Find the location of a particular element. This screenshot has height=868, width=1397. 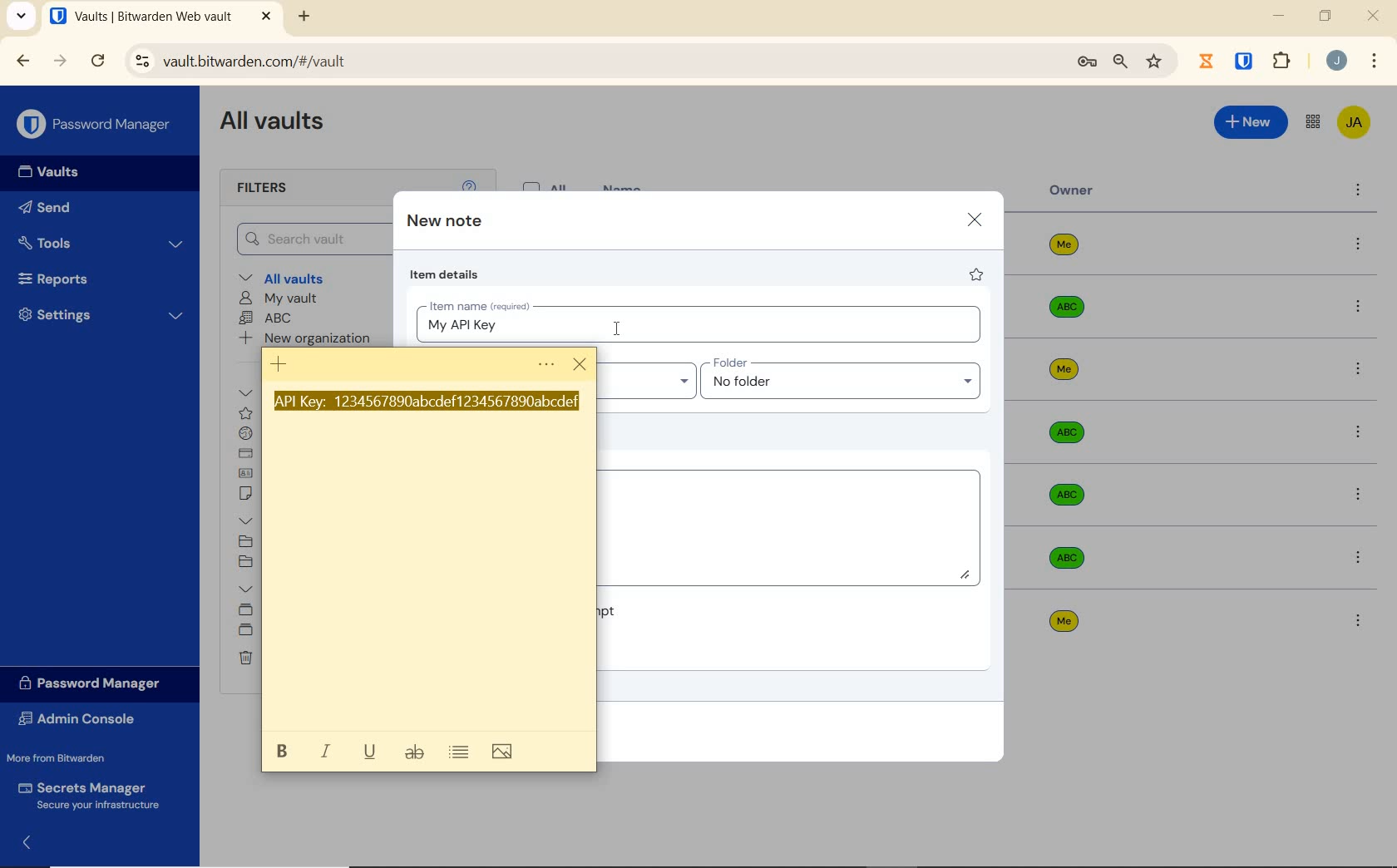

Secrets Manager is located at coordinates (93, 793).